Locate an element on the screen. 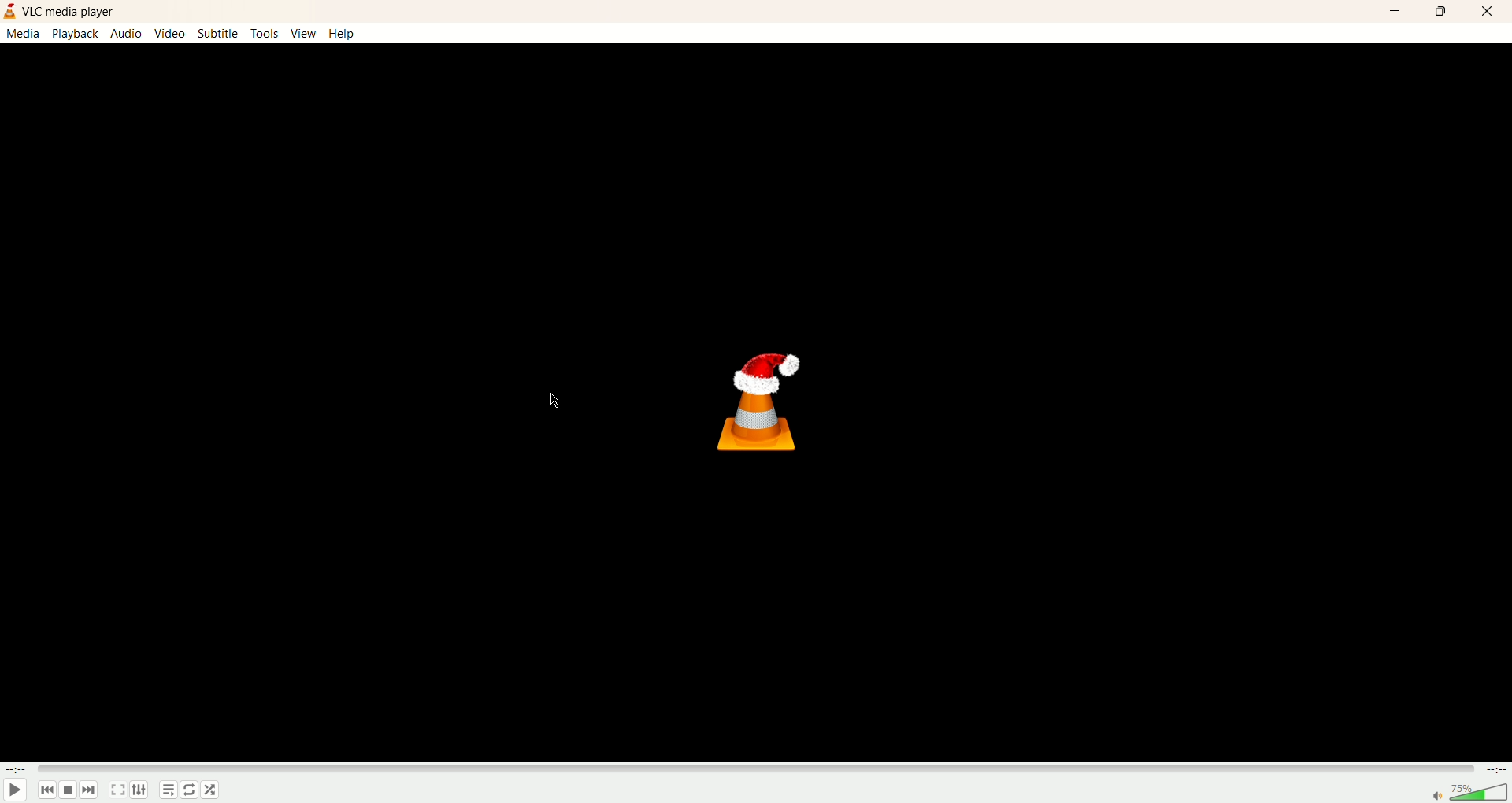 The image size is (1512, 803). VLC media payer is located at coordinates (69, 10).